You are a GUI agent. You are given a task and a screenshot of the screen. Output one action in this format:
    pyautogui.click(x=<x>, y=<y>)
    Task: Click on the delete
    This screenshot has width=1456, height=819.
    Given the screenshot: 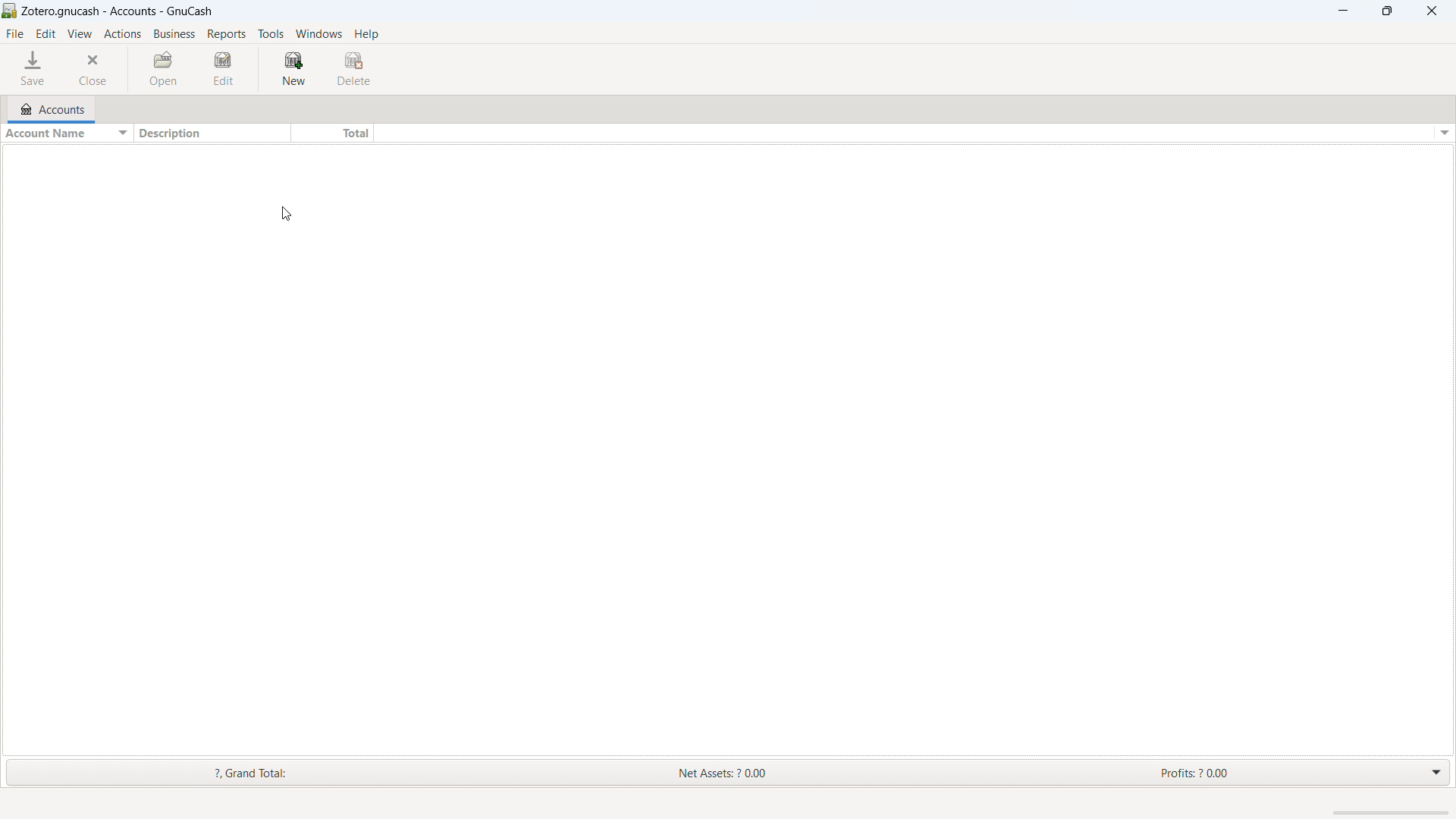 What is the action you would take?
    pyautogui.click(x=354, y=67)
    